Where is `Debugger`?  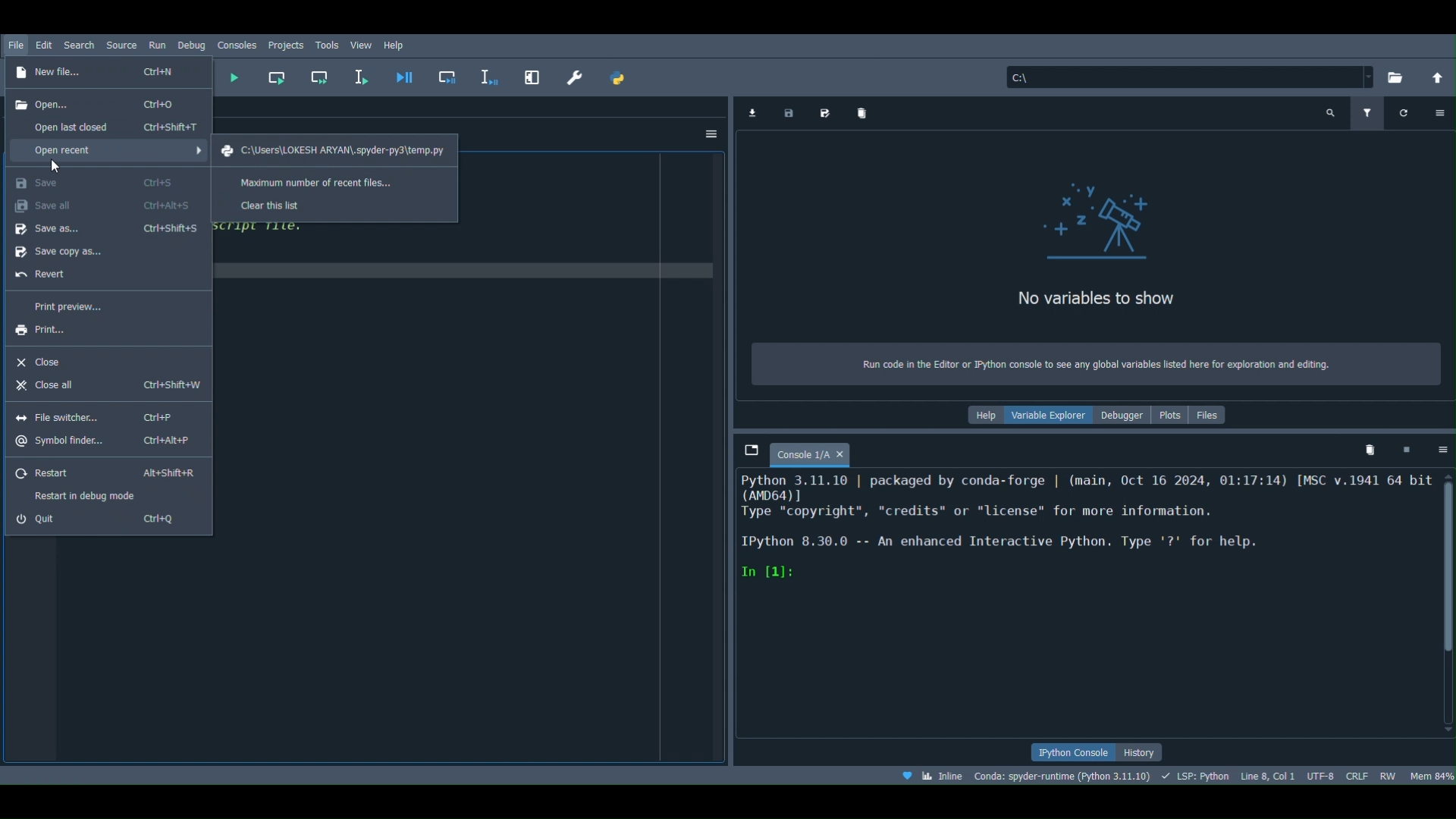 Debugger is located at coordinates (1119, 418).